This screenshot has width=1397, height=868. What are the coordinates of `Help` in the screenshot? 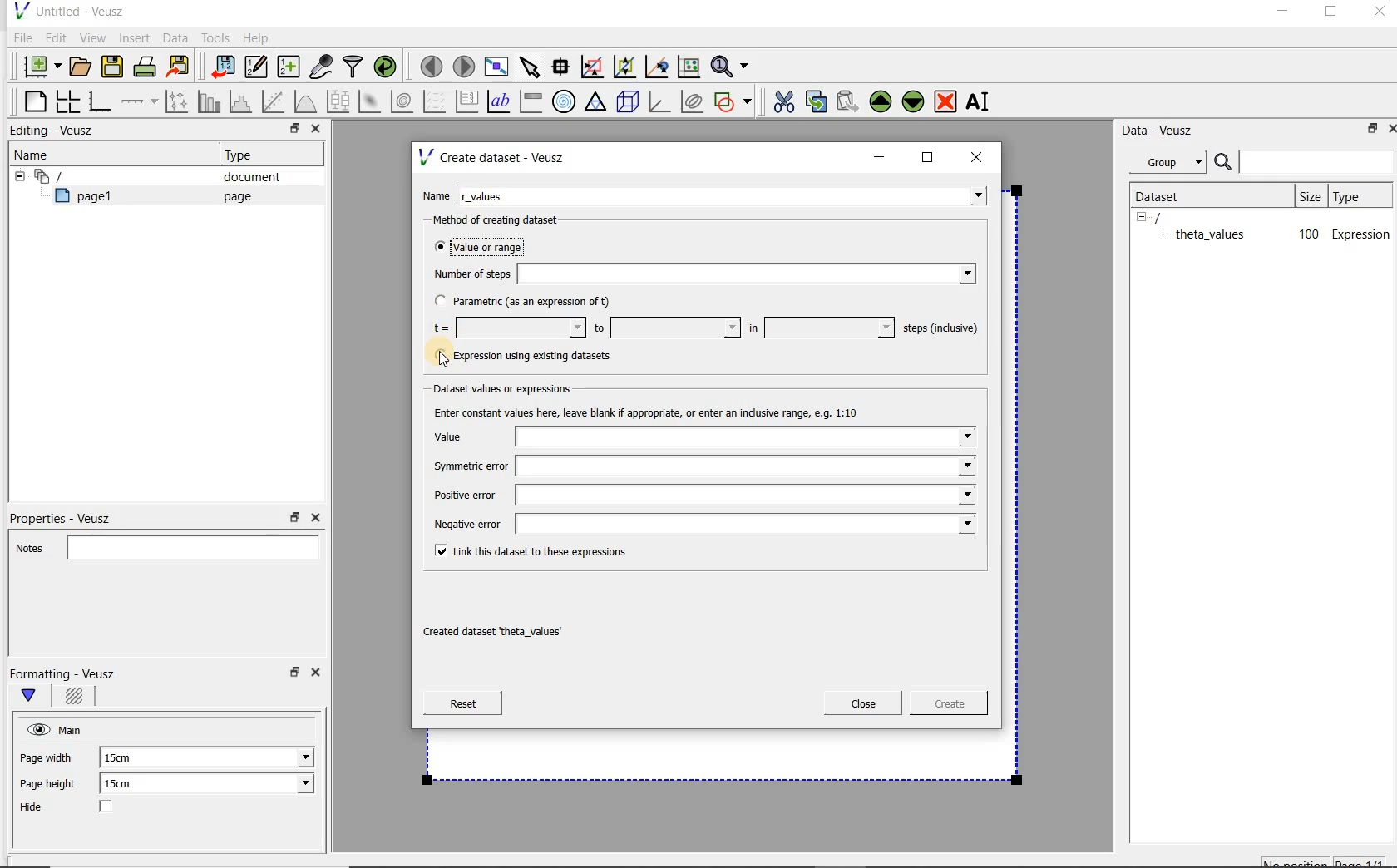 It's located at (258, 37).